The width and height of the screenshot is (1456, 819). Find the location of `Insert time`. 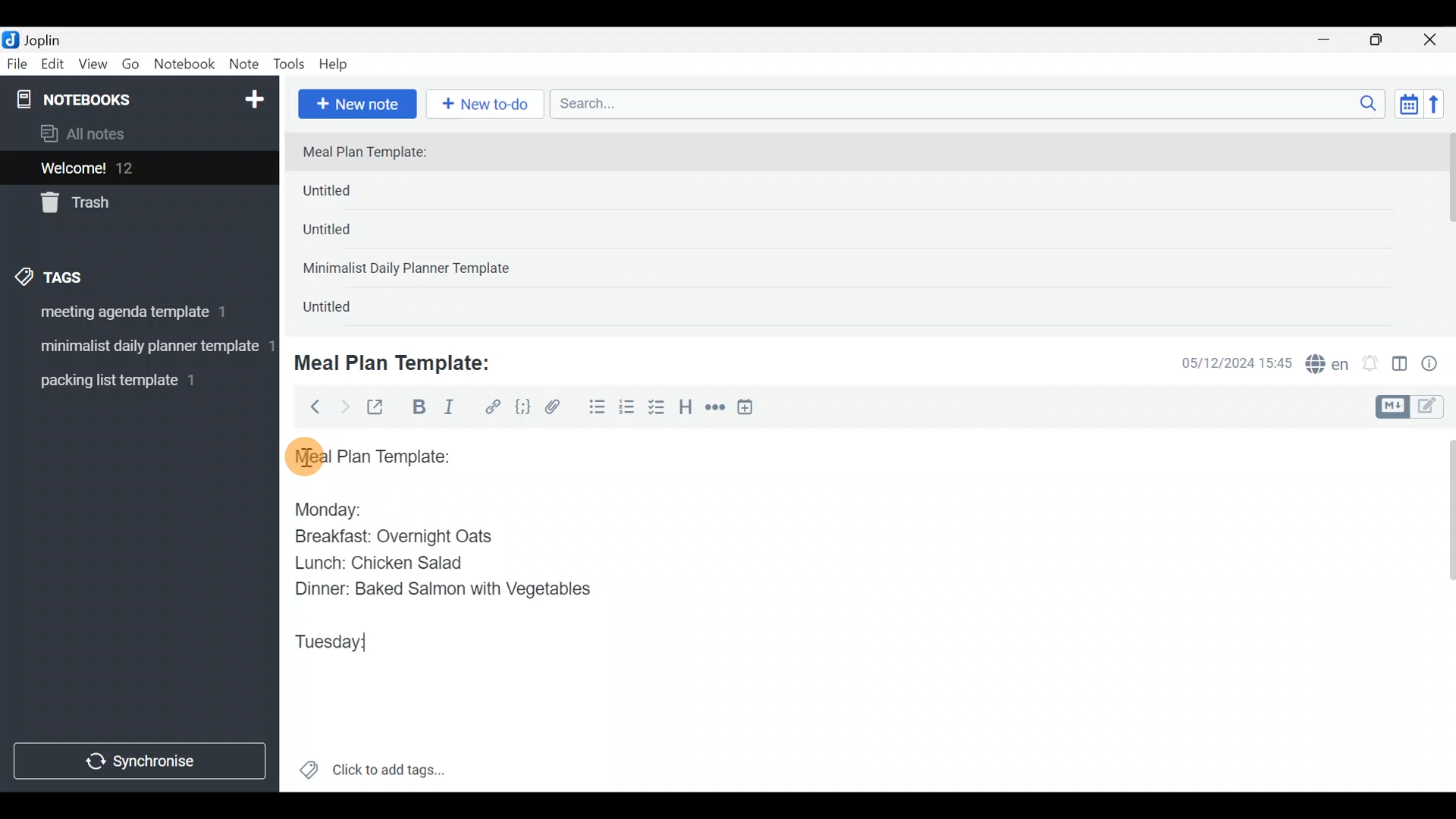

Insert time is located at coordinates (752, 409).